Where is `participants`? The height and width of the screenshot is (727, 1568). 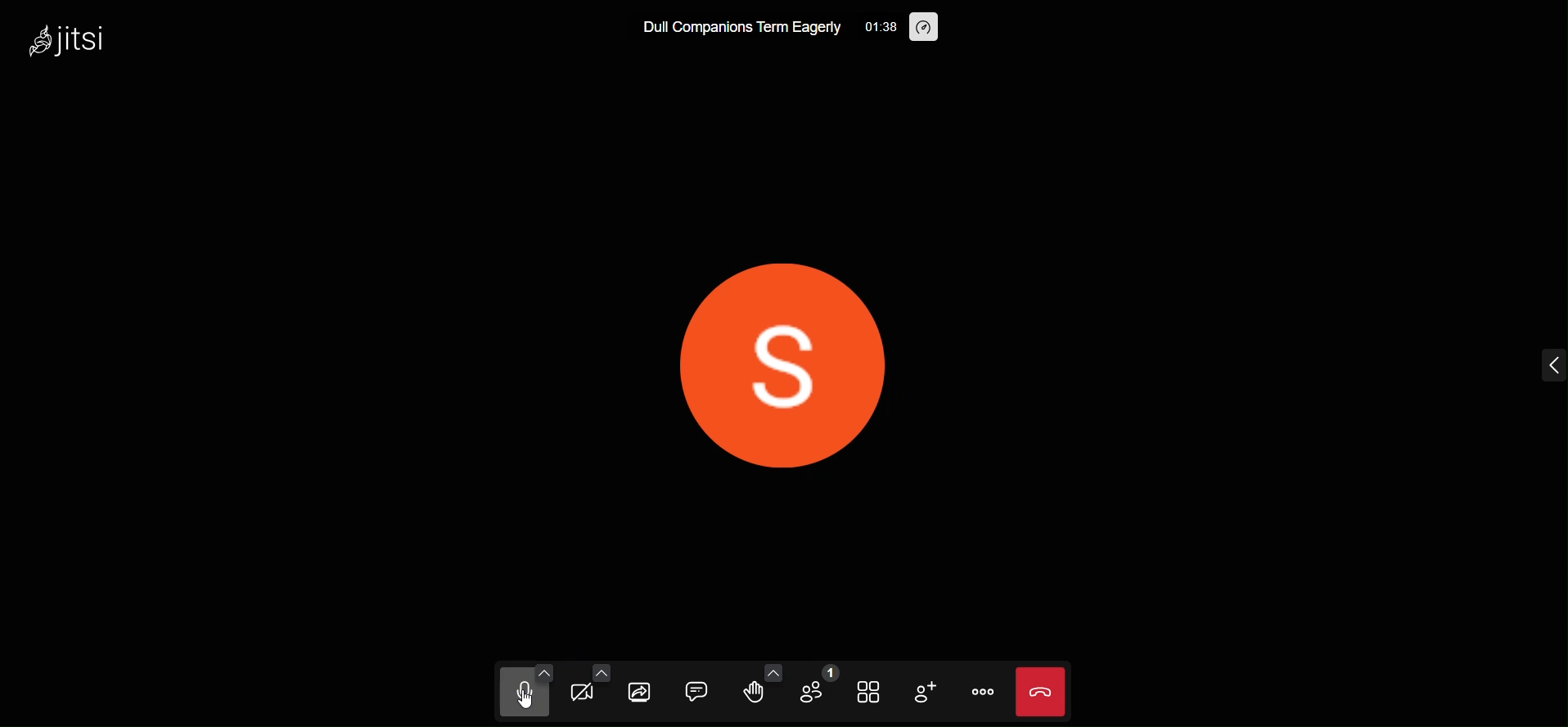 participants is located at coordinates (820, 684).